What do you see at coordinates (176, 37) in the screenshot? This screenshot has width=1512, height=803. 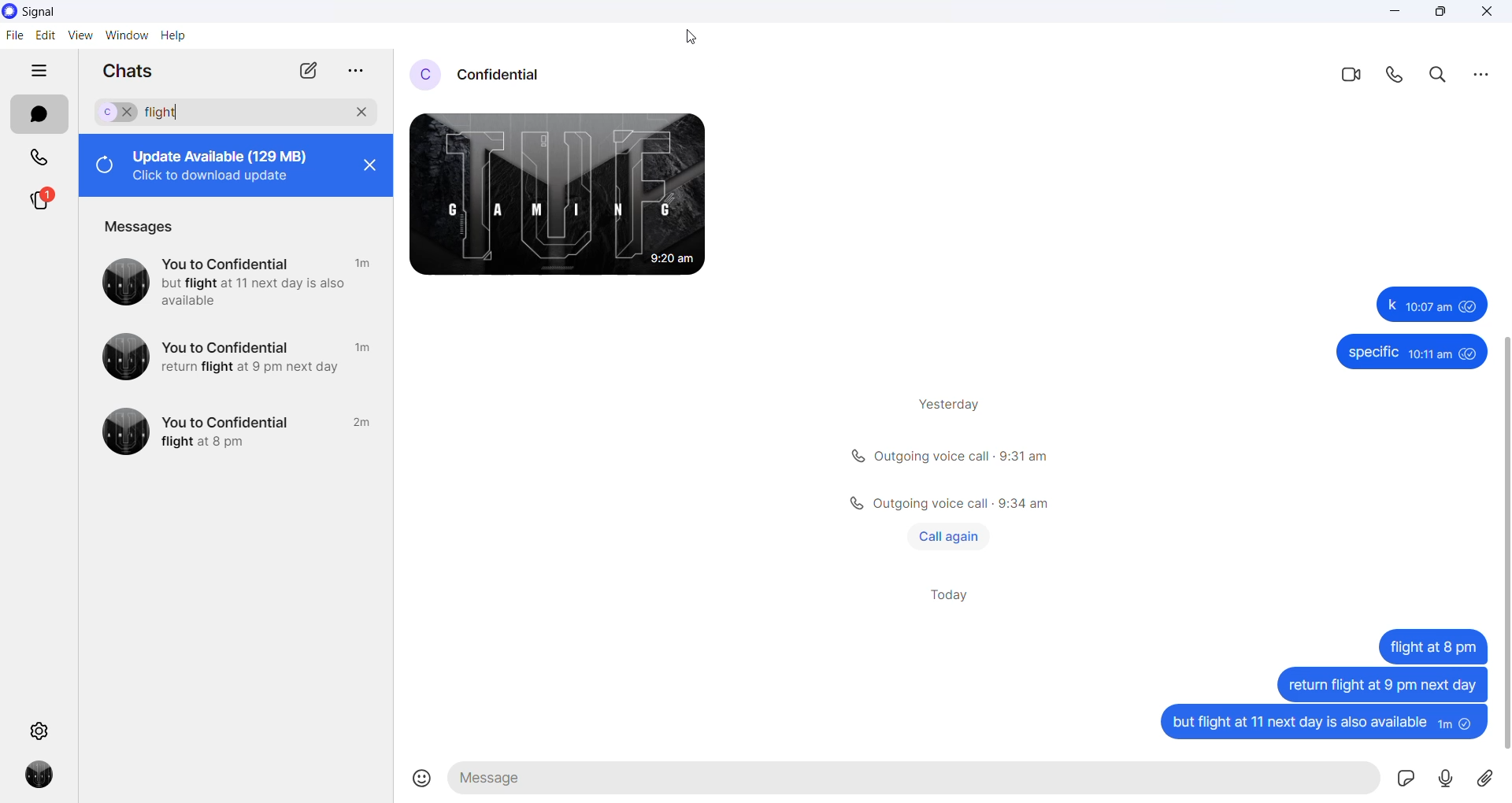 I see `help` at bounding box center [176, 37].